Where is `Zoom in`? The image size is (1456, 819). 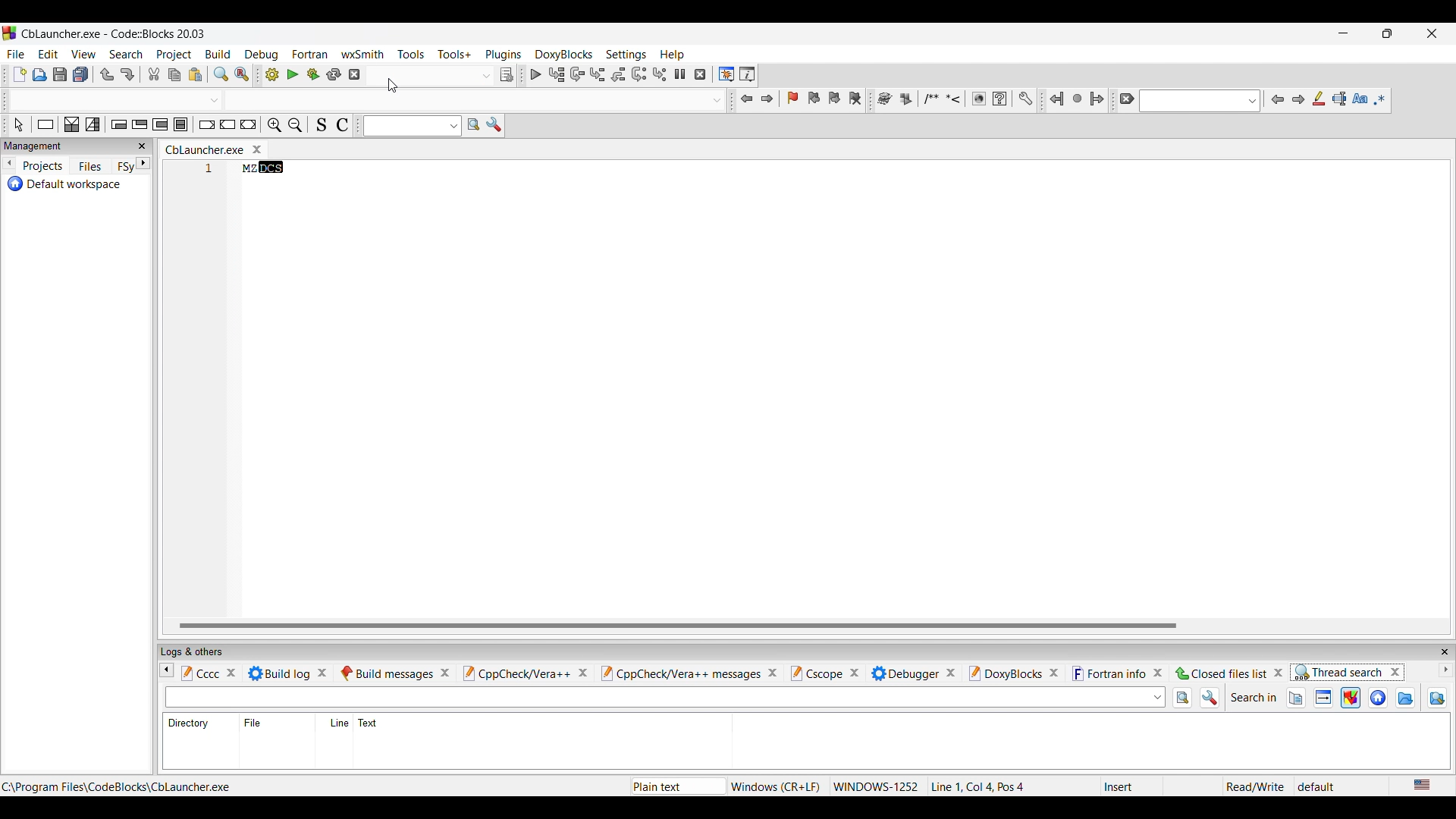 Zoom in is located at coordinates (275, 125).